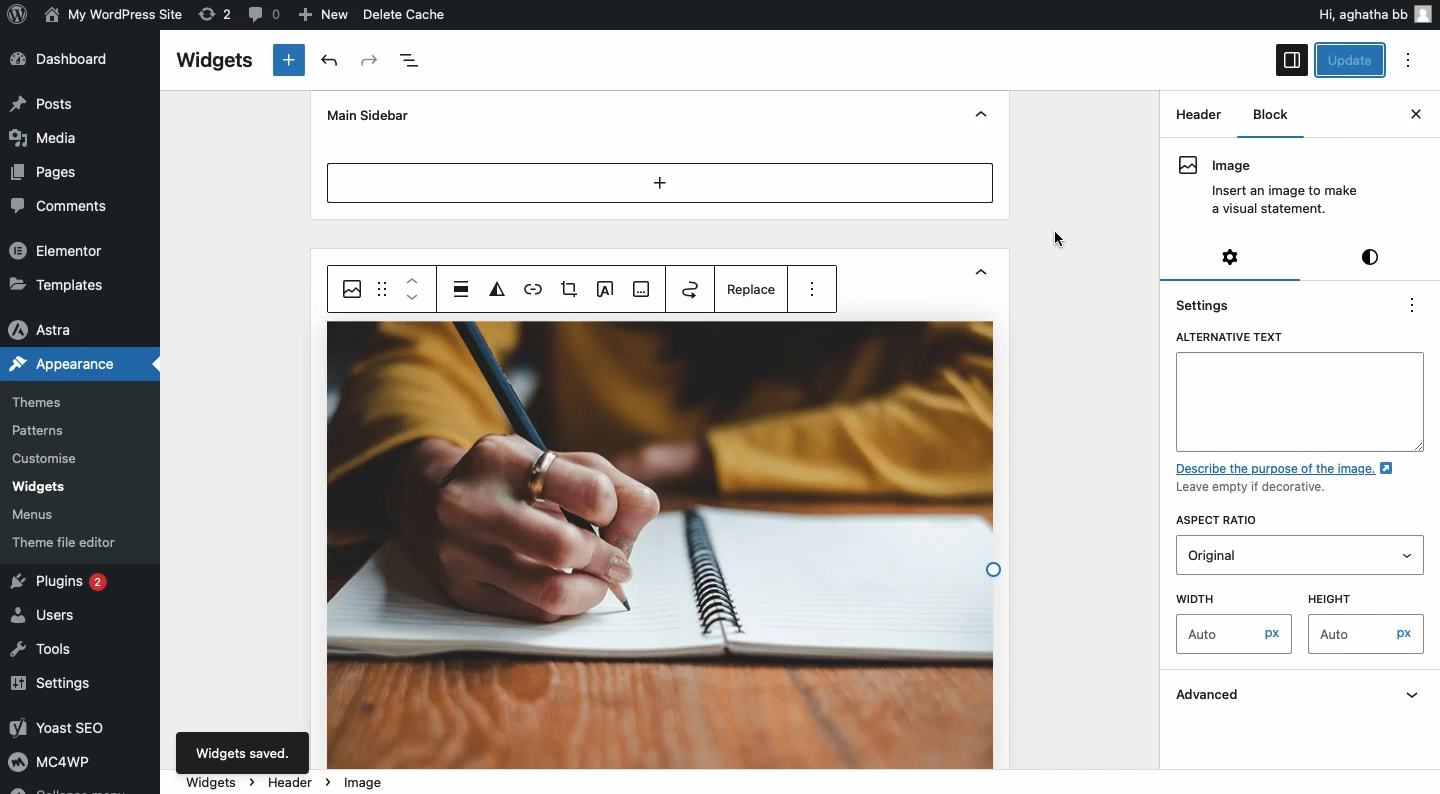  What do you see at coordinates (1235, 636) in the screenshot?
I see `Auto px` at bounding box center [1235, 636].